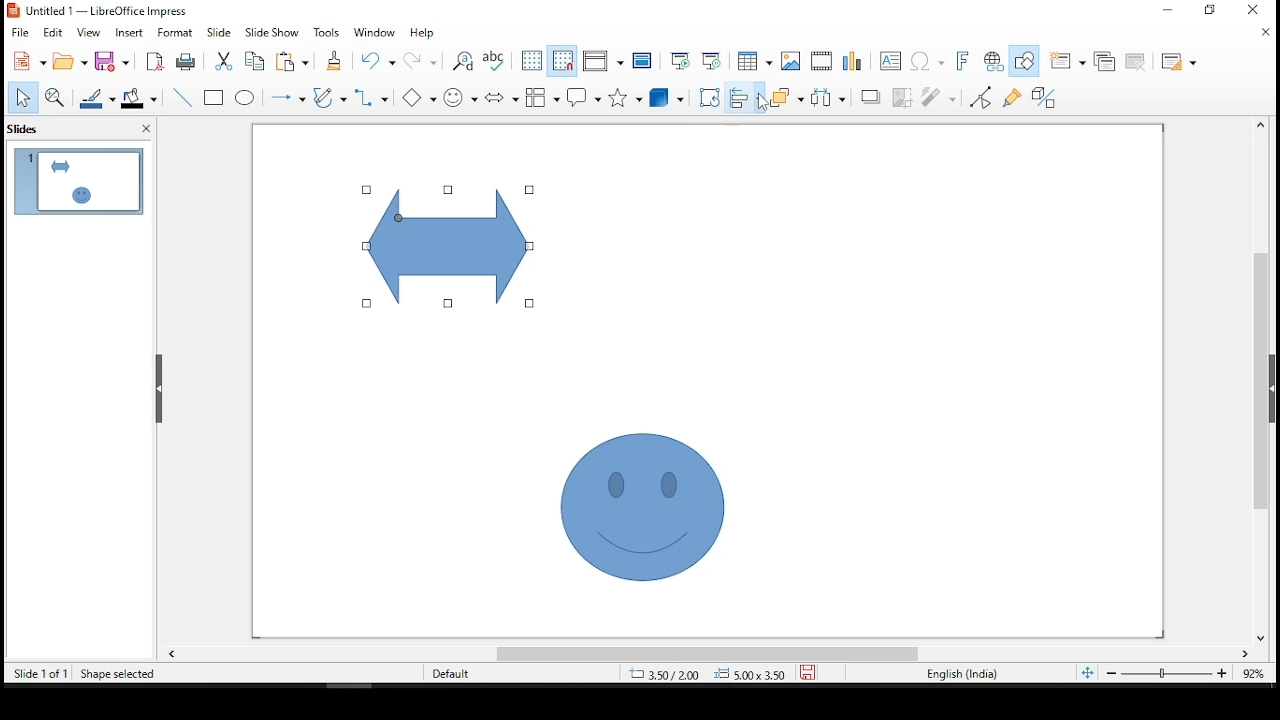  Describe the element at coordinates (994, 63) in the screenshot. I see `insert hyperlink` at that location.